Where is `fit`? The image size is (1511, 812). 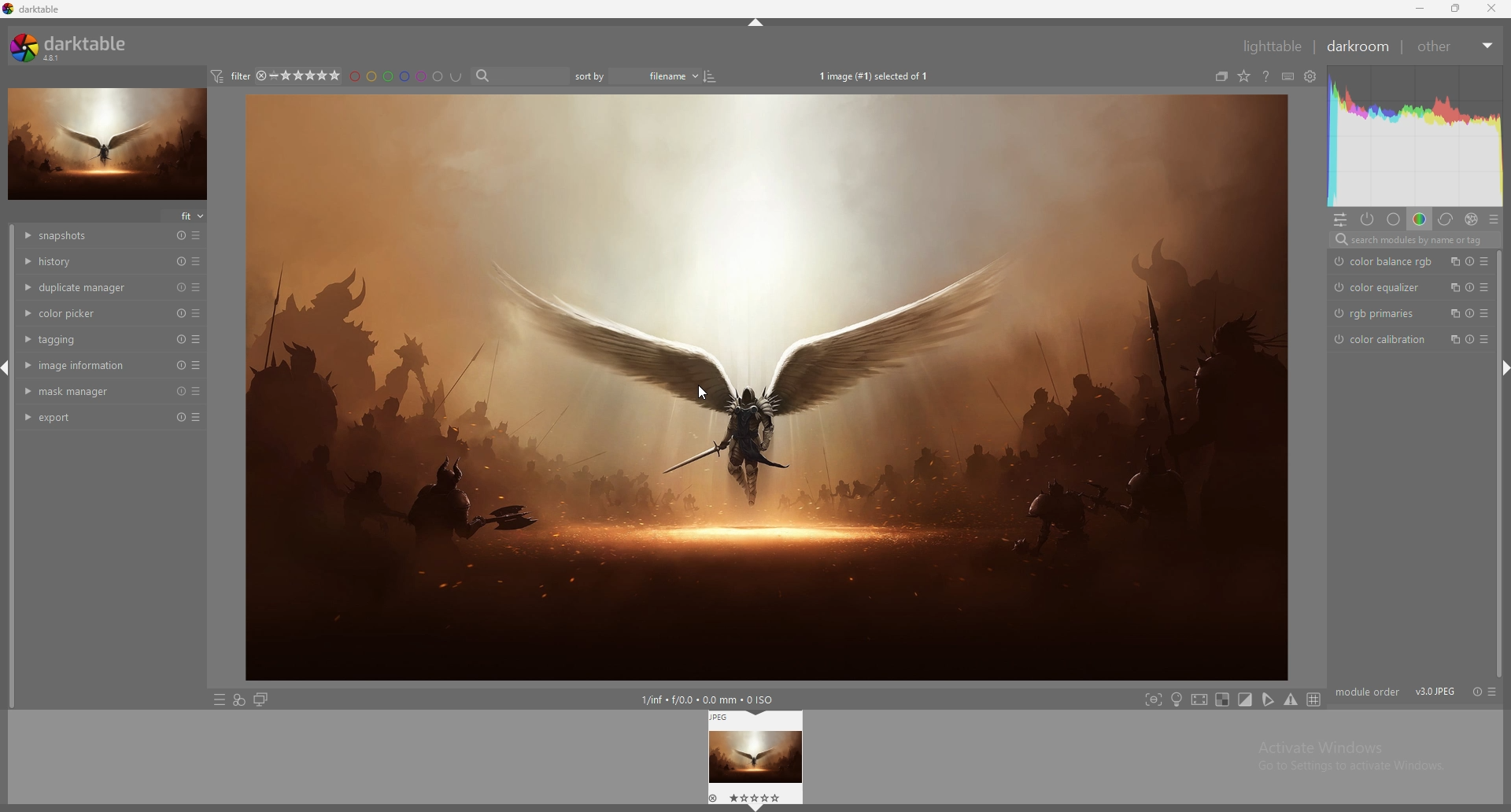
fit is located at coordinates (186, 216).